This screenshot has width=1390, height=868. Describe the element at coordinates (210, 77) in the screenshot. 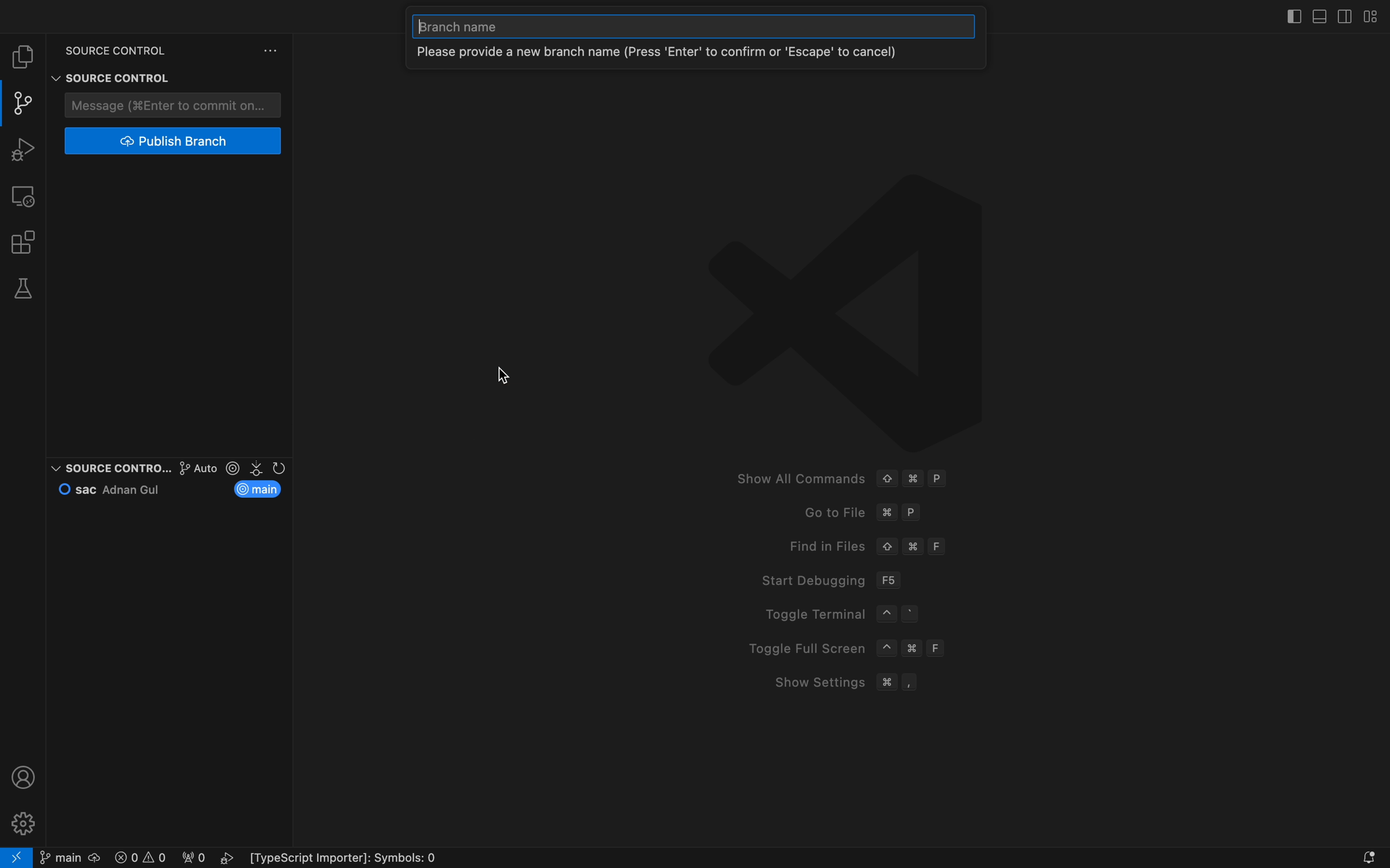

I see `ok` at that location.